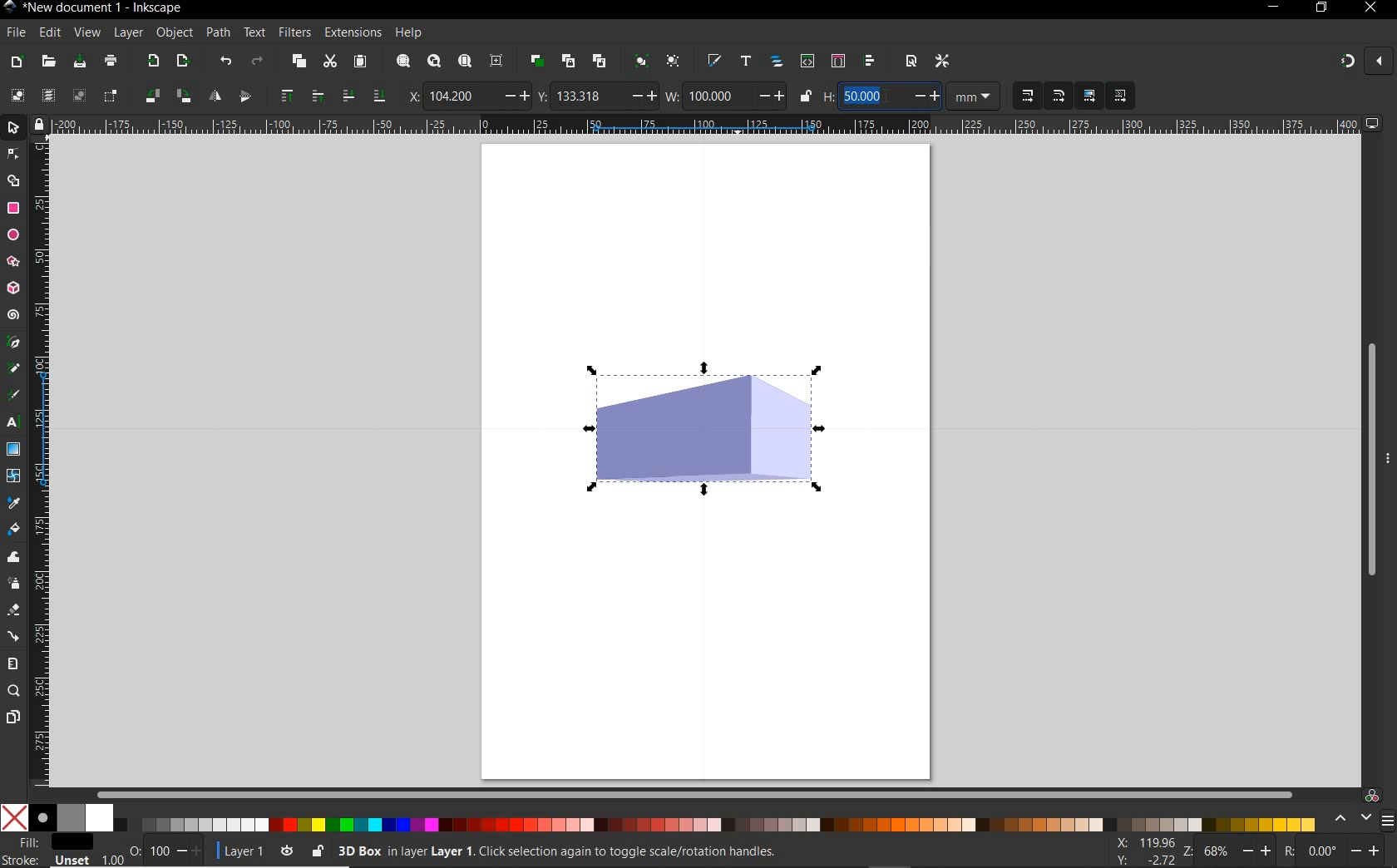 This screenshot has height=868, width=1397. I want to click on enable snapping, so click(1346, 62).